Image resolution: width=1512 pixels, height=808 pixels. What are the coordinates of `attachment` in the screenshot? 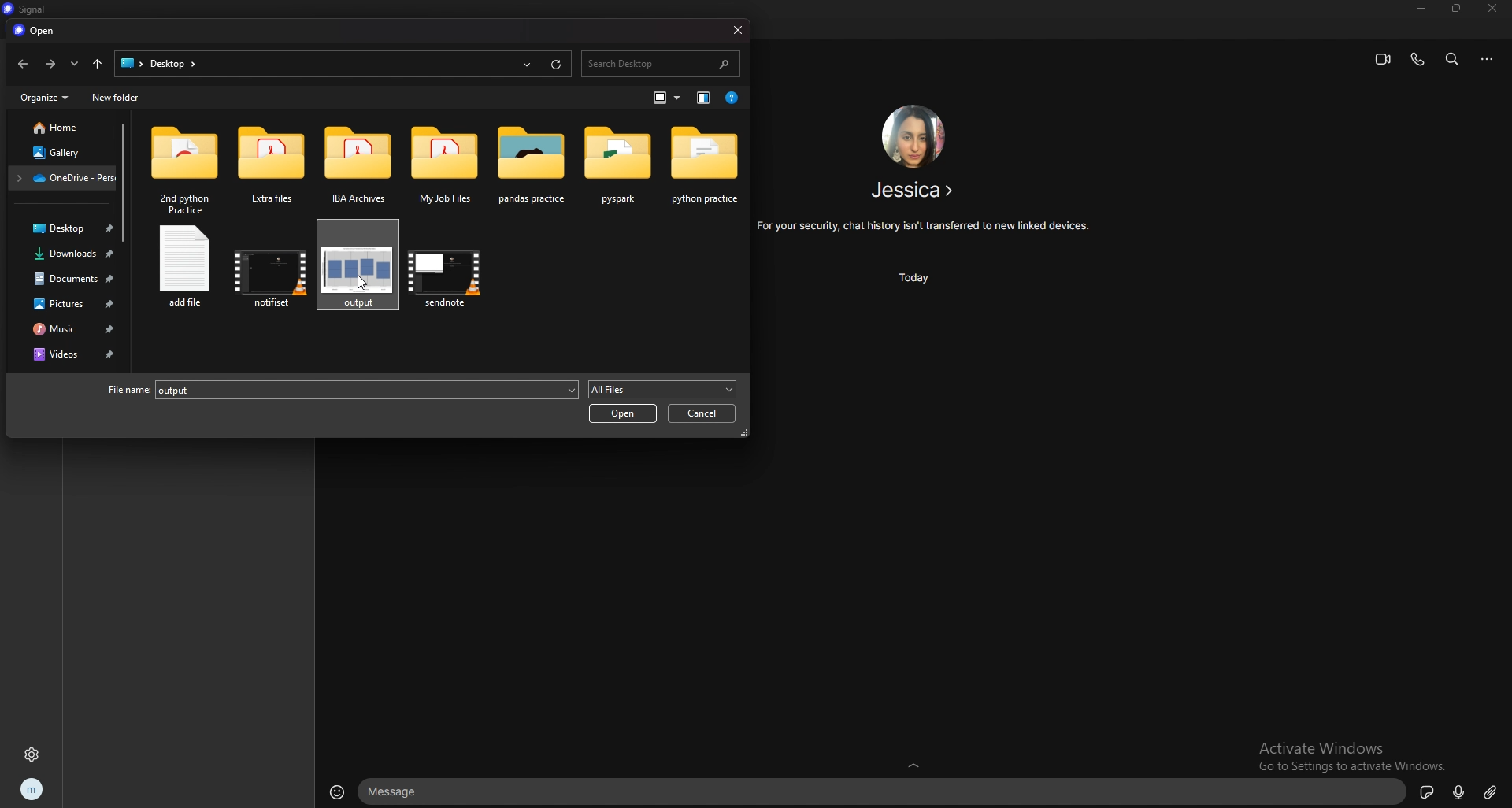 It's located at (1493, 791).